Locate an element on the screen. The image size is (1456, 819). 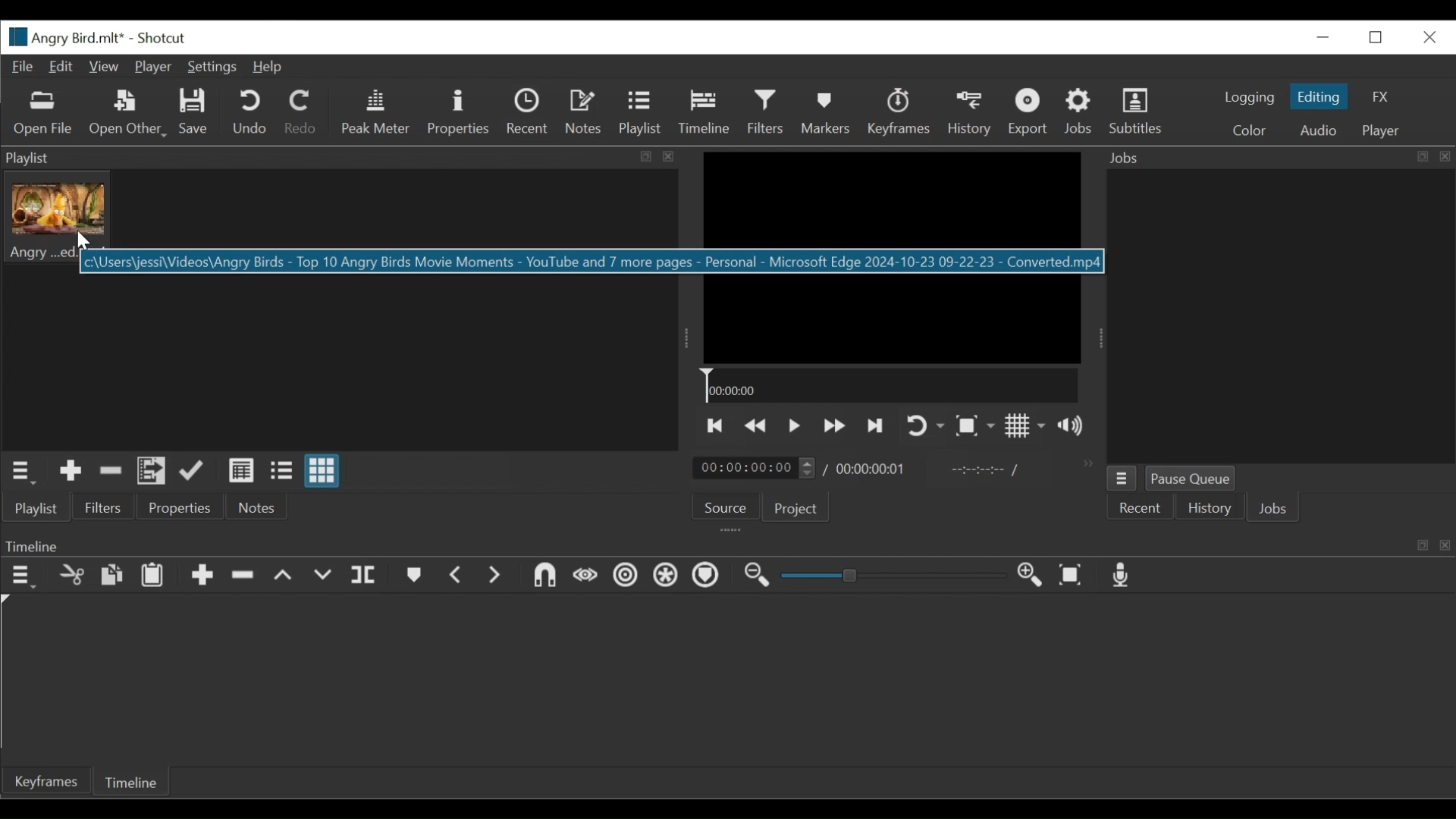
Zoom timeline to fit is located at coordinates (1072, 576).